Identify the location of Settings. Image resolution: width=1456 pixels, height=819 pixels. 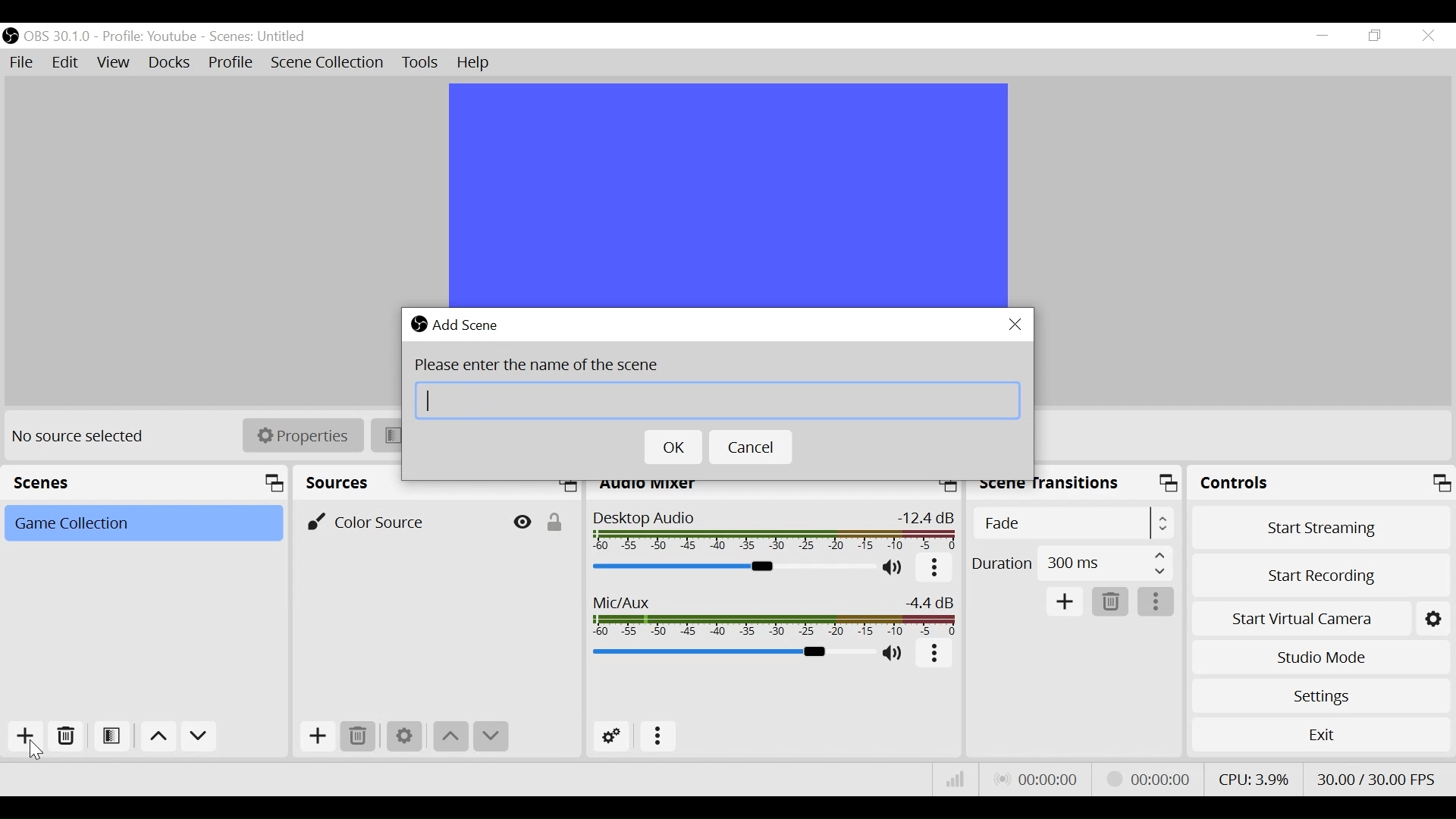
(404, 736).